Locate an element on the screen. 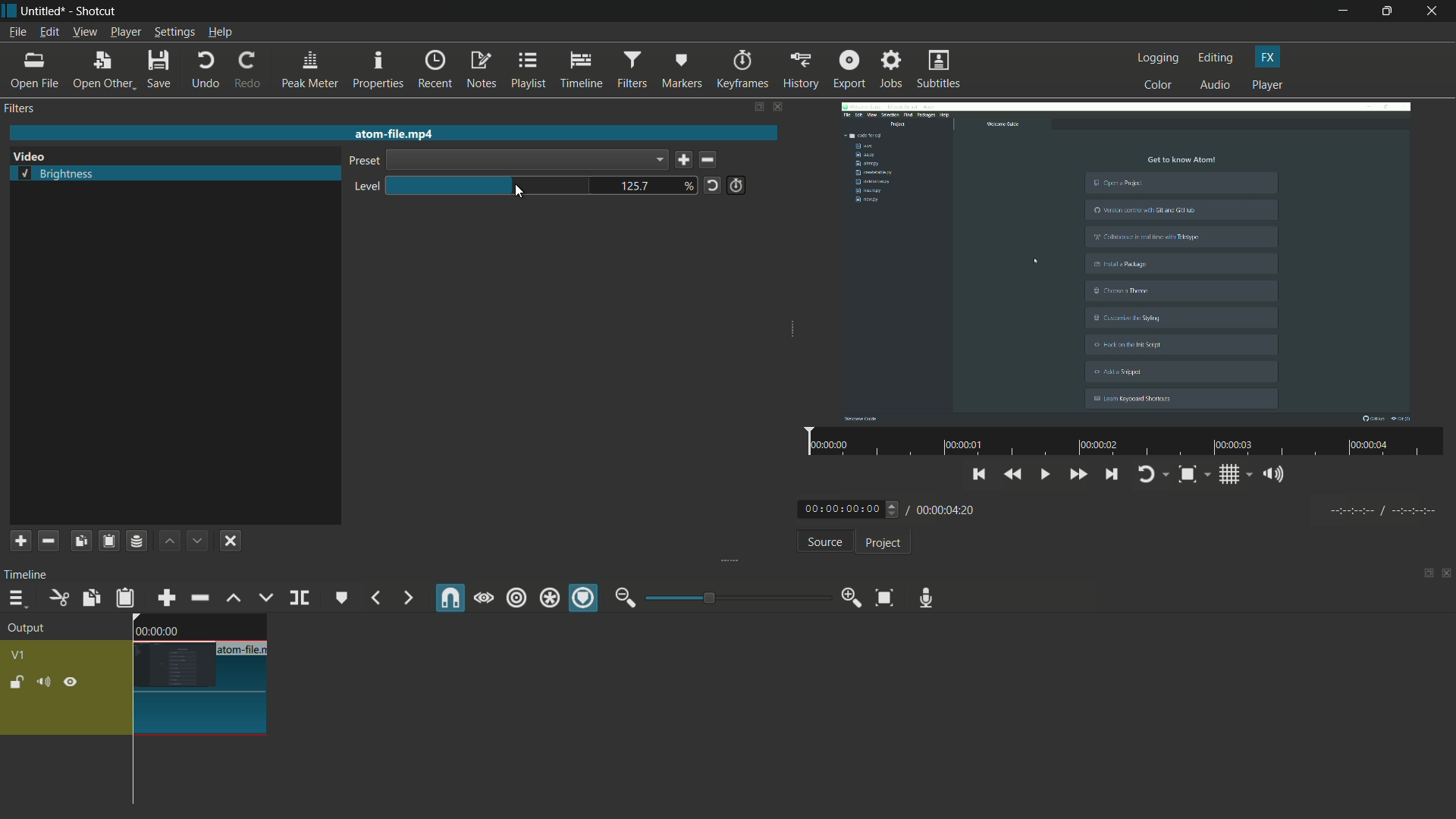 The width and height of the screenshot is (1456, 819). edit menu is located at coordinates (47, 33).